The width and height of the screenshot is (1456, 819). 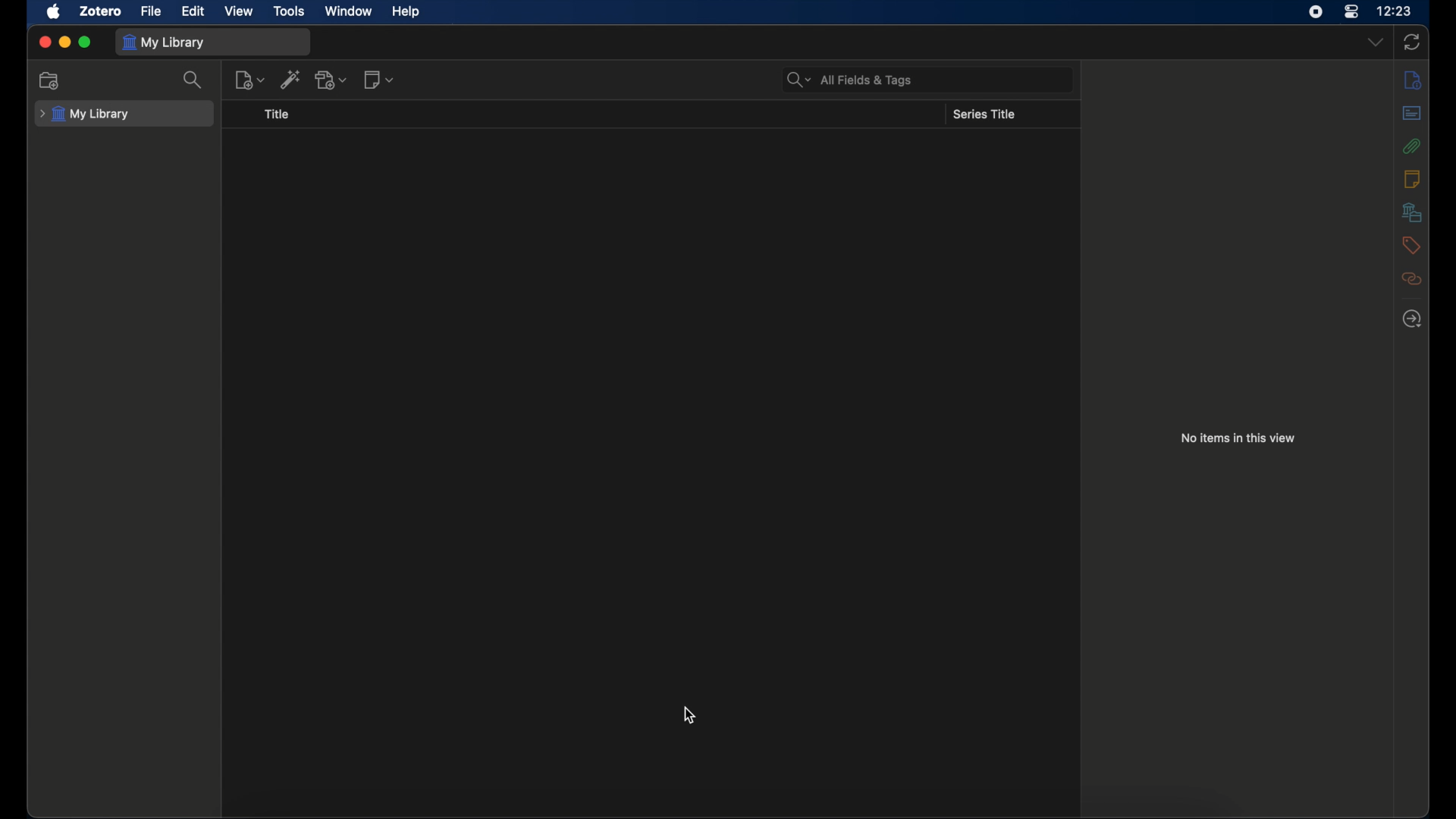 I want to click on attachments, so click(x=1411, y=146).